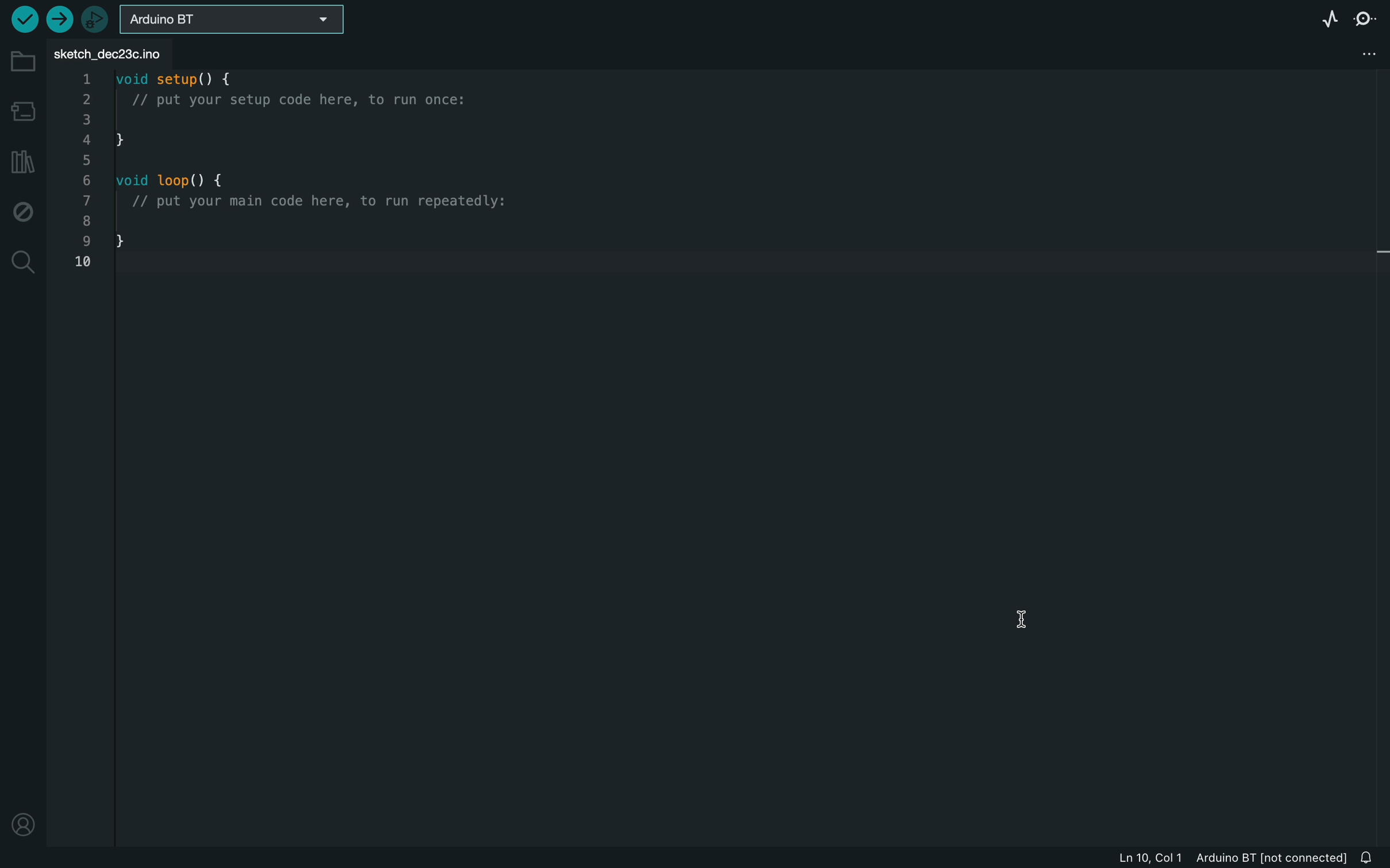 This screenshot has width=1390, height=868. Describe the element at coordinates (21, 109) in the screenshot. I see `board manager` at that location.